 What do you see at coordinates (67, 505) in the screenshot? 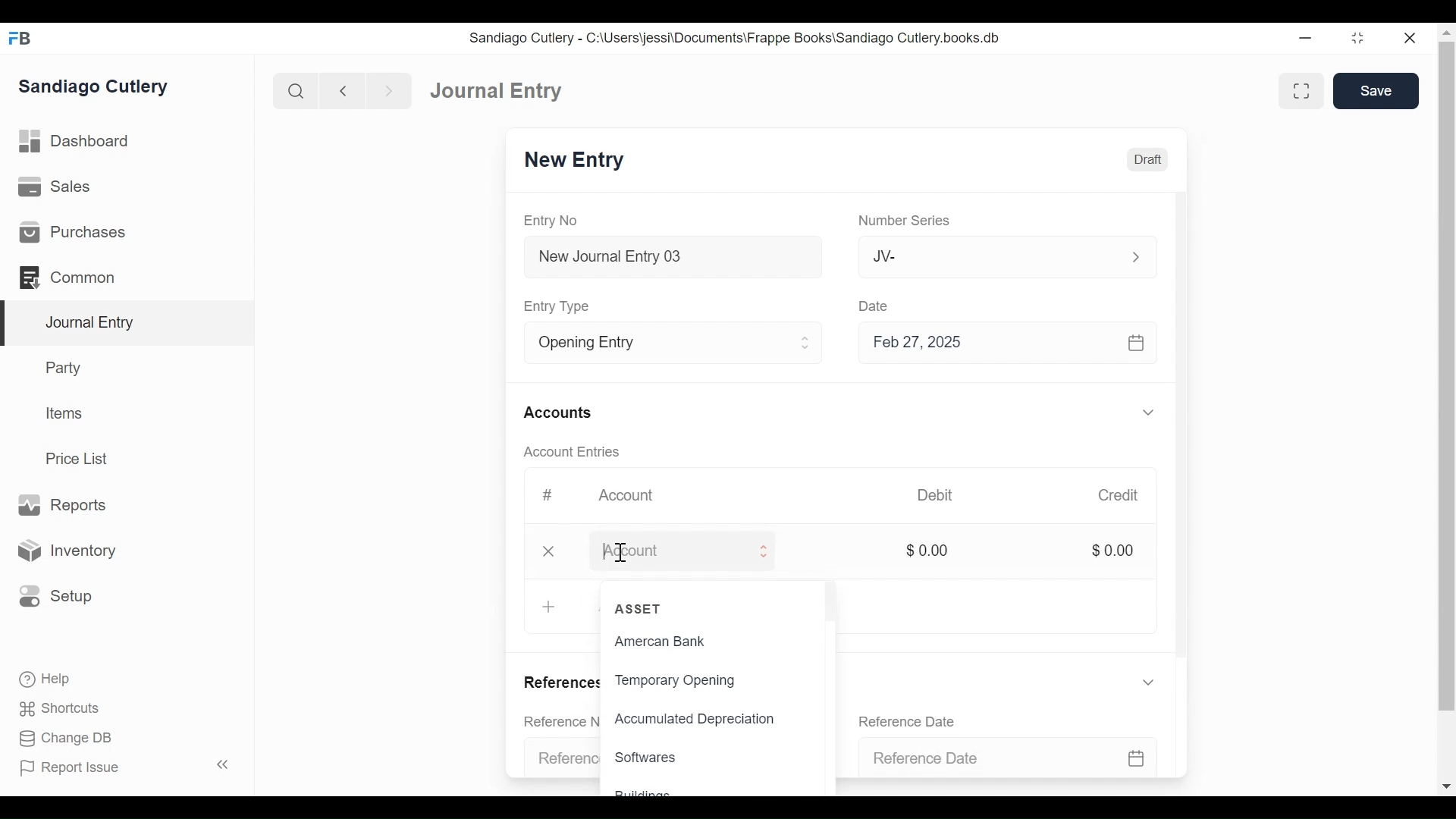
I see `Reports` at bounding box center [67, 505].